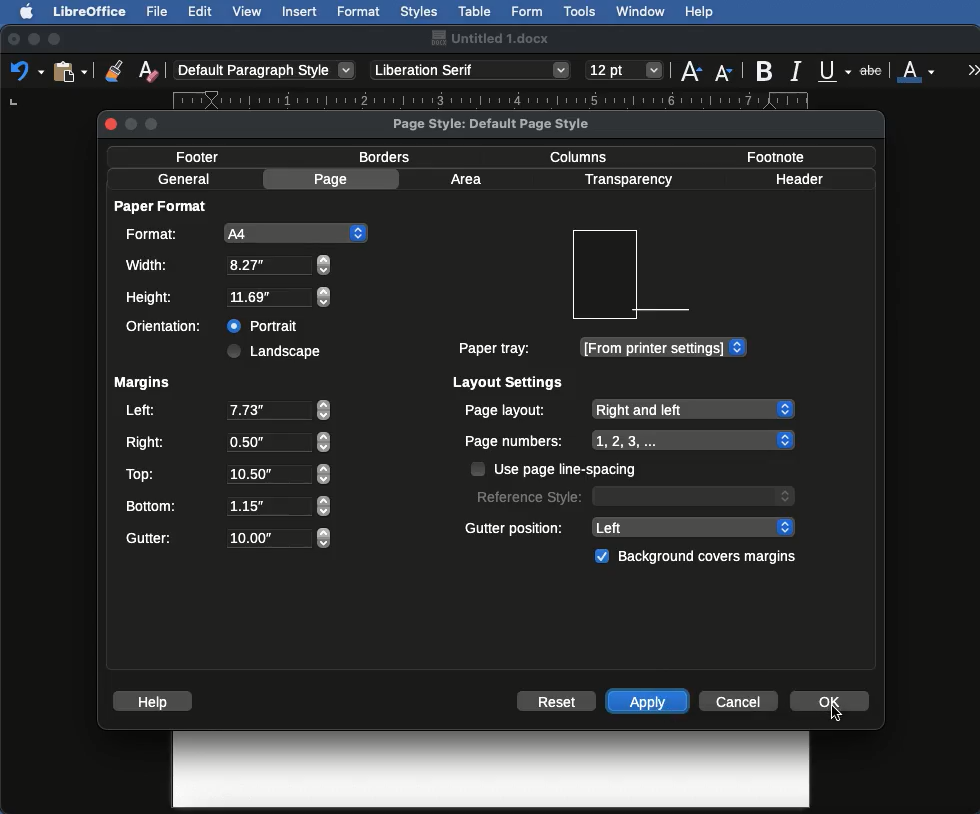 This screenshot has height=814, width=980. Describe the element at coordinates (184, 179) in the screenshot. I see `General` at that location.